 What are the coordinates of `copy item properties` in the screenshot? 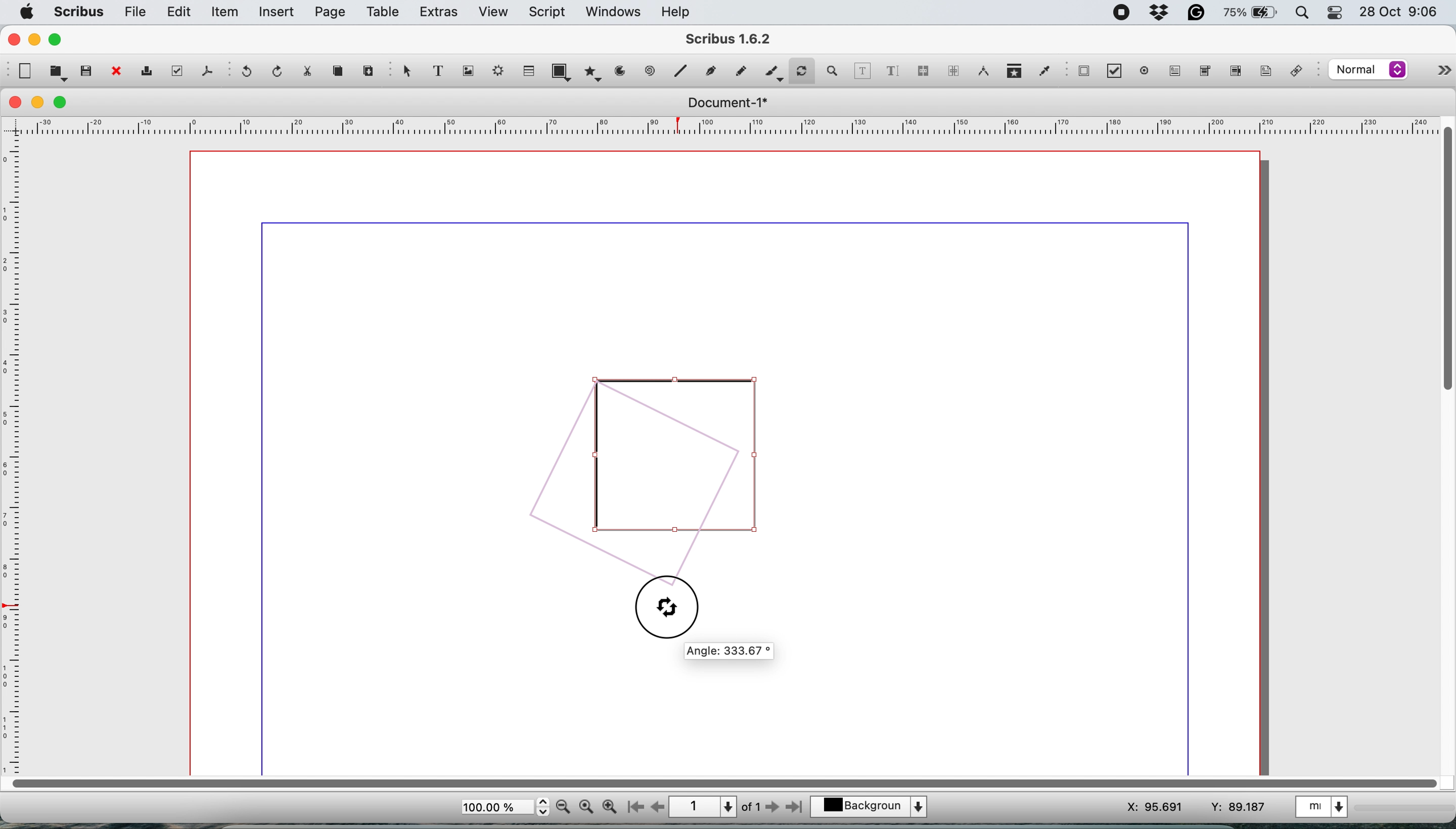 It's located at (1012, 72).